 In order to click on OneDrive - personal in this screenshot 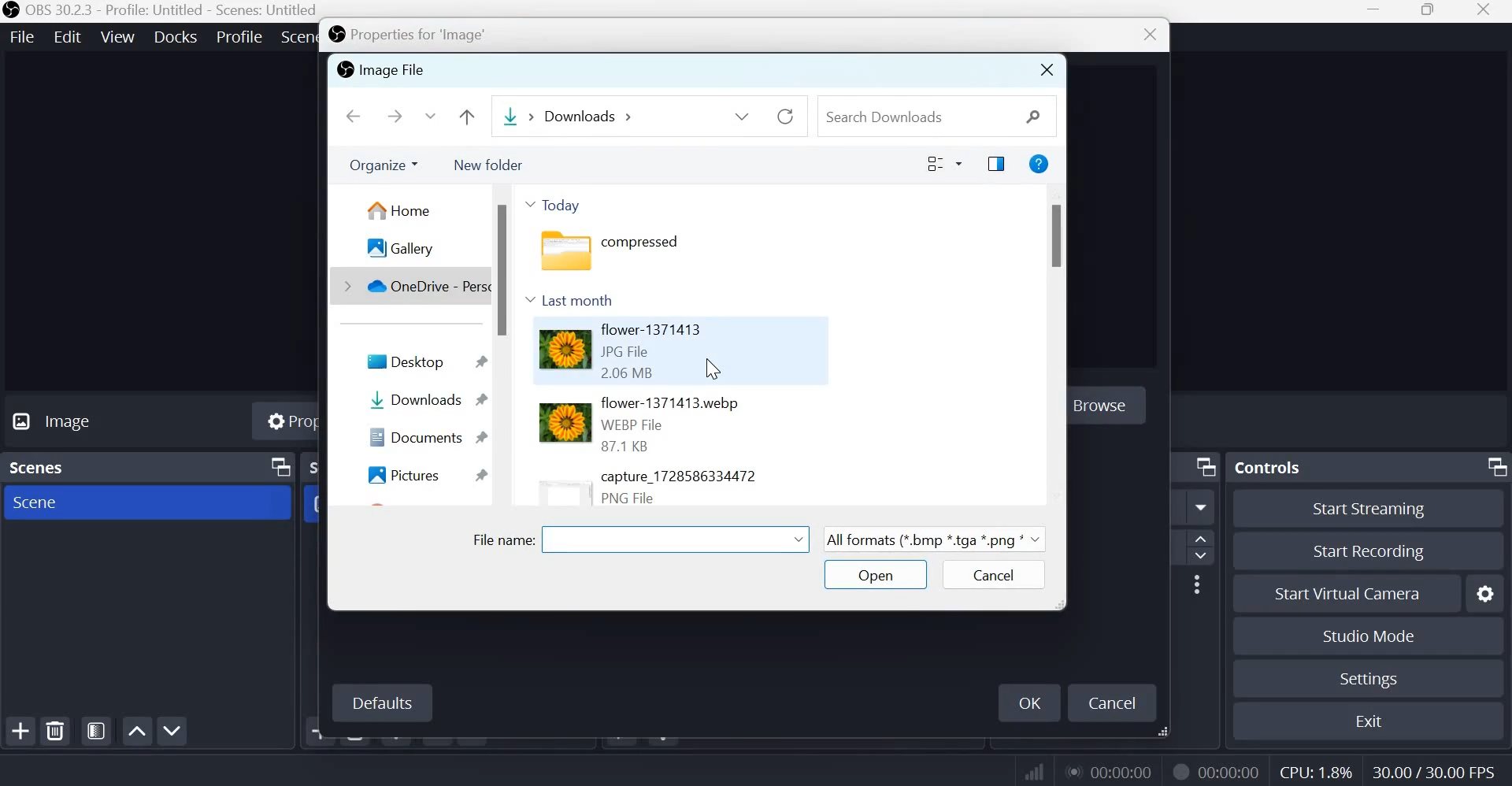, I will do `click(412, 286)`.